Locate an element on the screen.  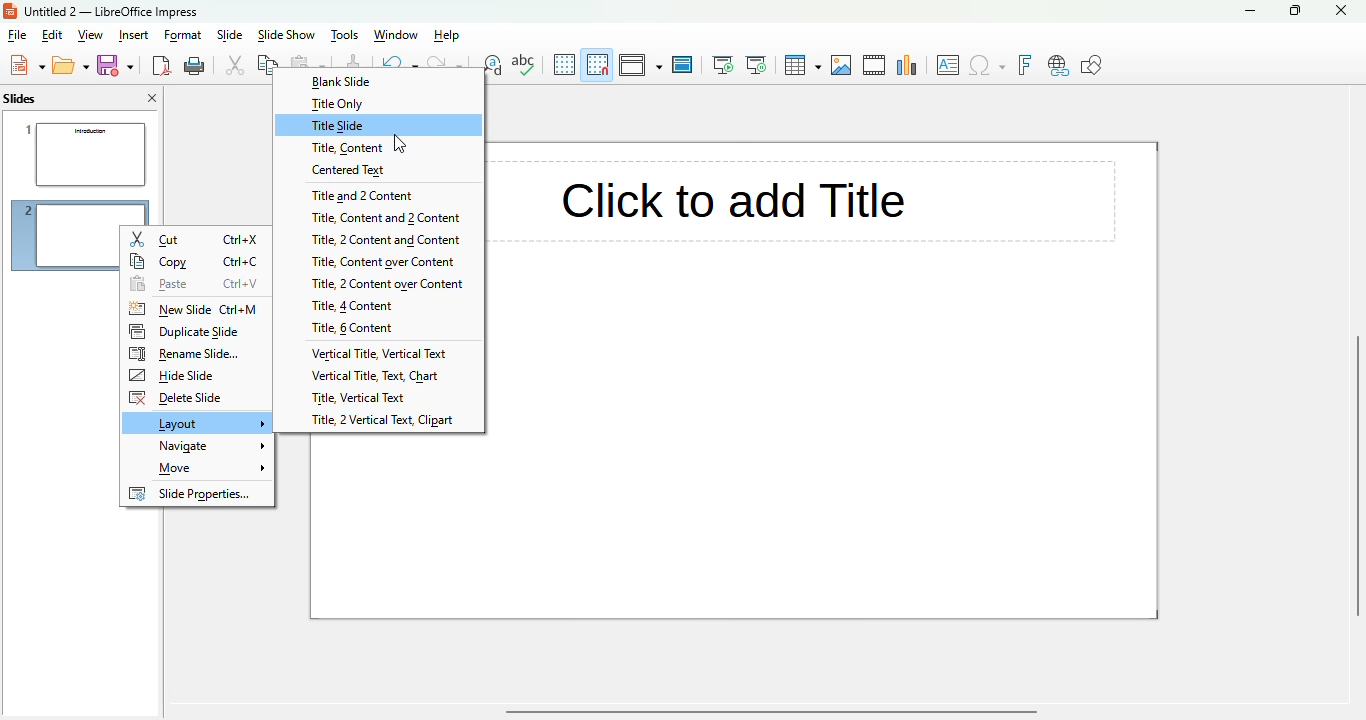
insert audio or video is located at coordinates (875, 65).